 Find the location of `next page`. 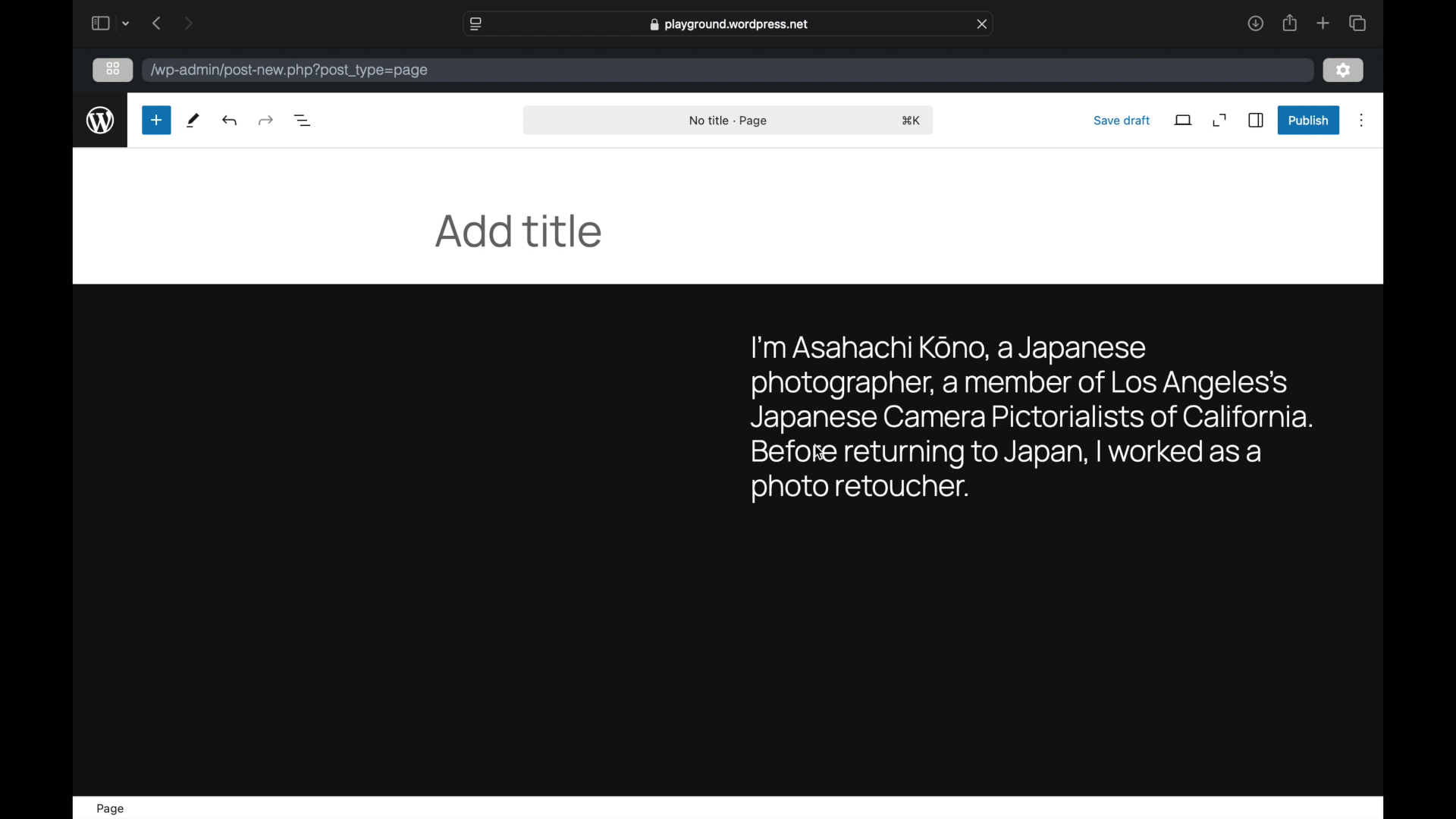

next page is located at coordinates (188, 23).